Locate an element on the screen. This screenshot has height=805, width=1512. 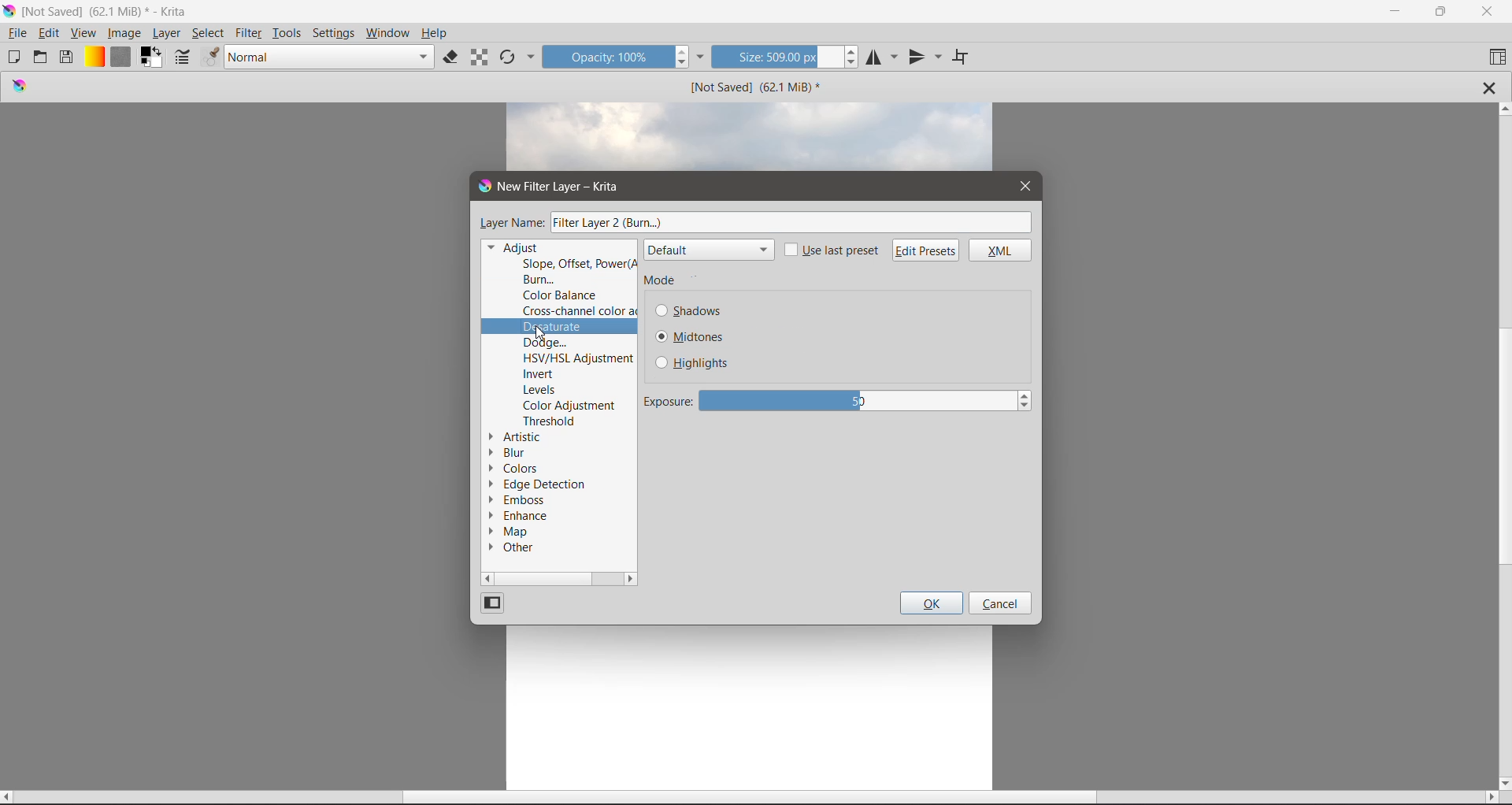
 is located at coordinates (1028, 187).